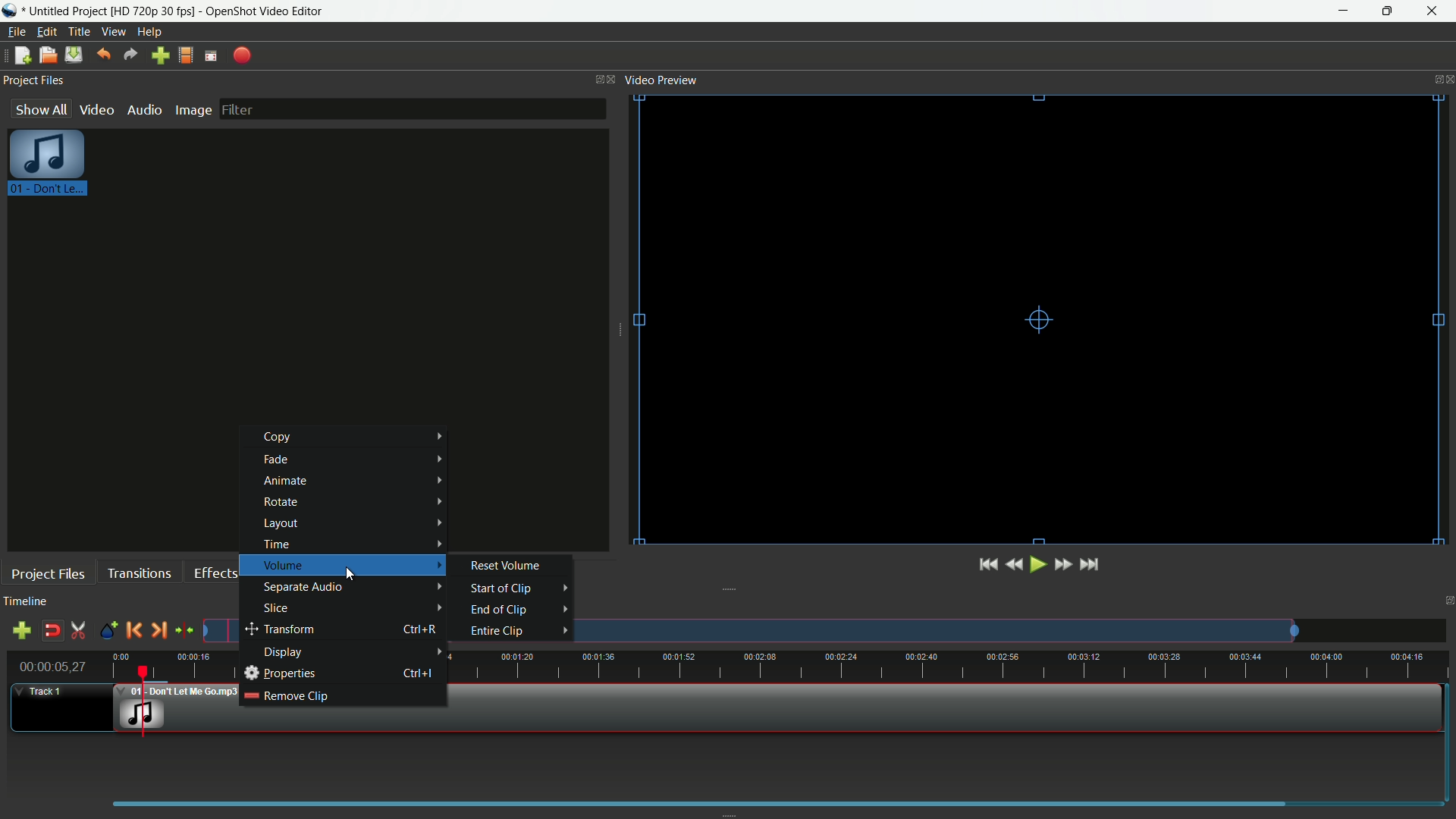 The width and height of the screenshot is (1456, 819). I want to click on slice, so click(354, 609).